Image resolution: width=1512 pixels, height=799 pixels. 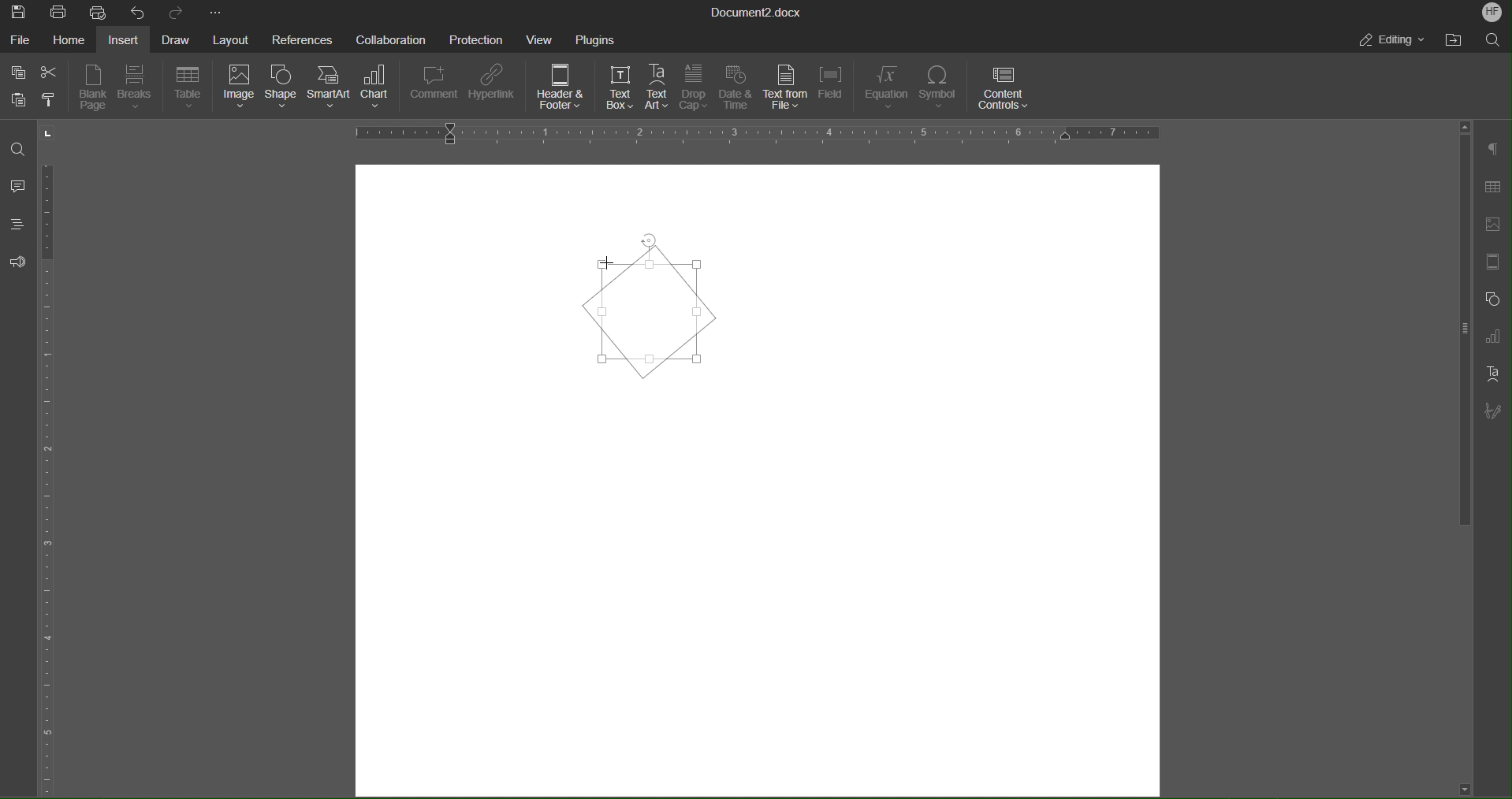 I want to click on Insert Image, so click(x=1490, y=225).